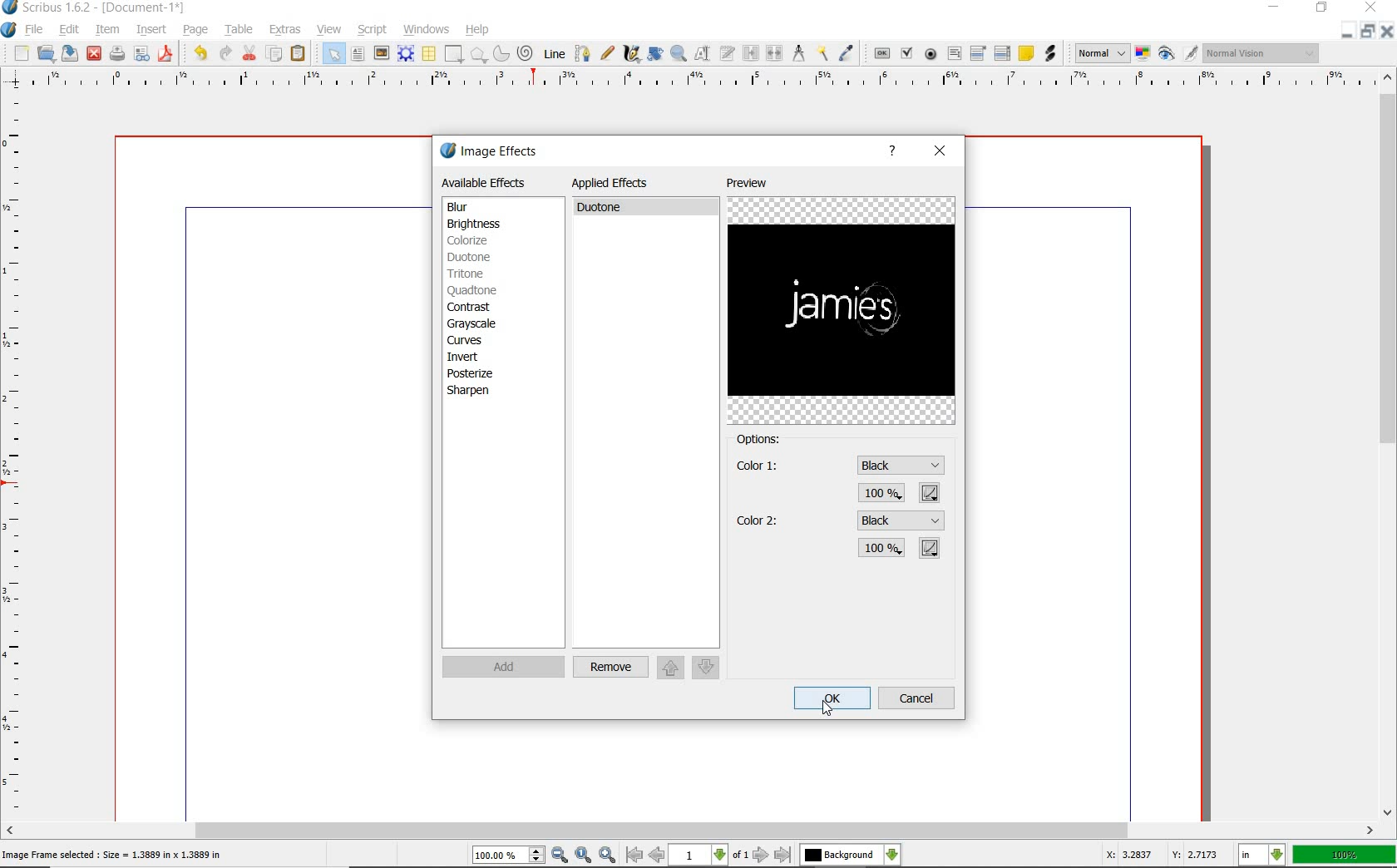  I want to click on unlink text frames, so click(774, 52).